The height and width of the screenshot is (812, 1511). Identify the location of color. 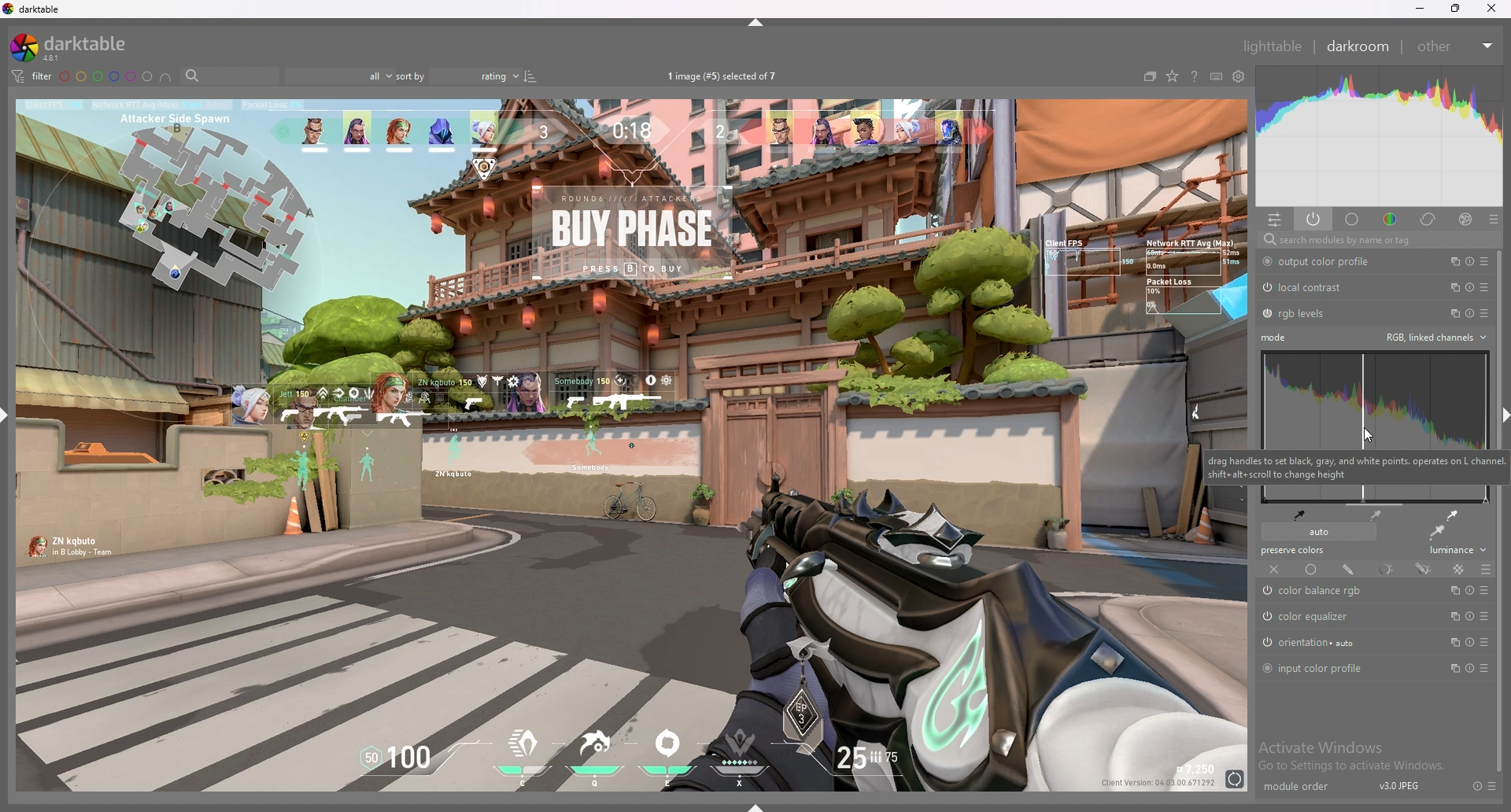
(1391, 220).